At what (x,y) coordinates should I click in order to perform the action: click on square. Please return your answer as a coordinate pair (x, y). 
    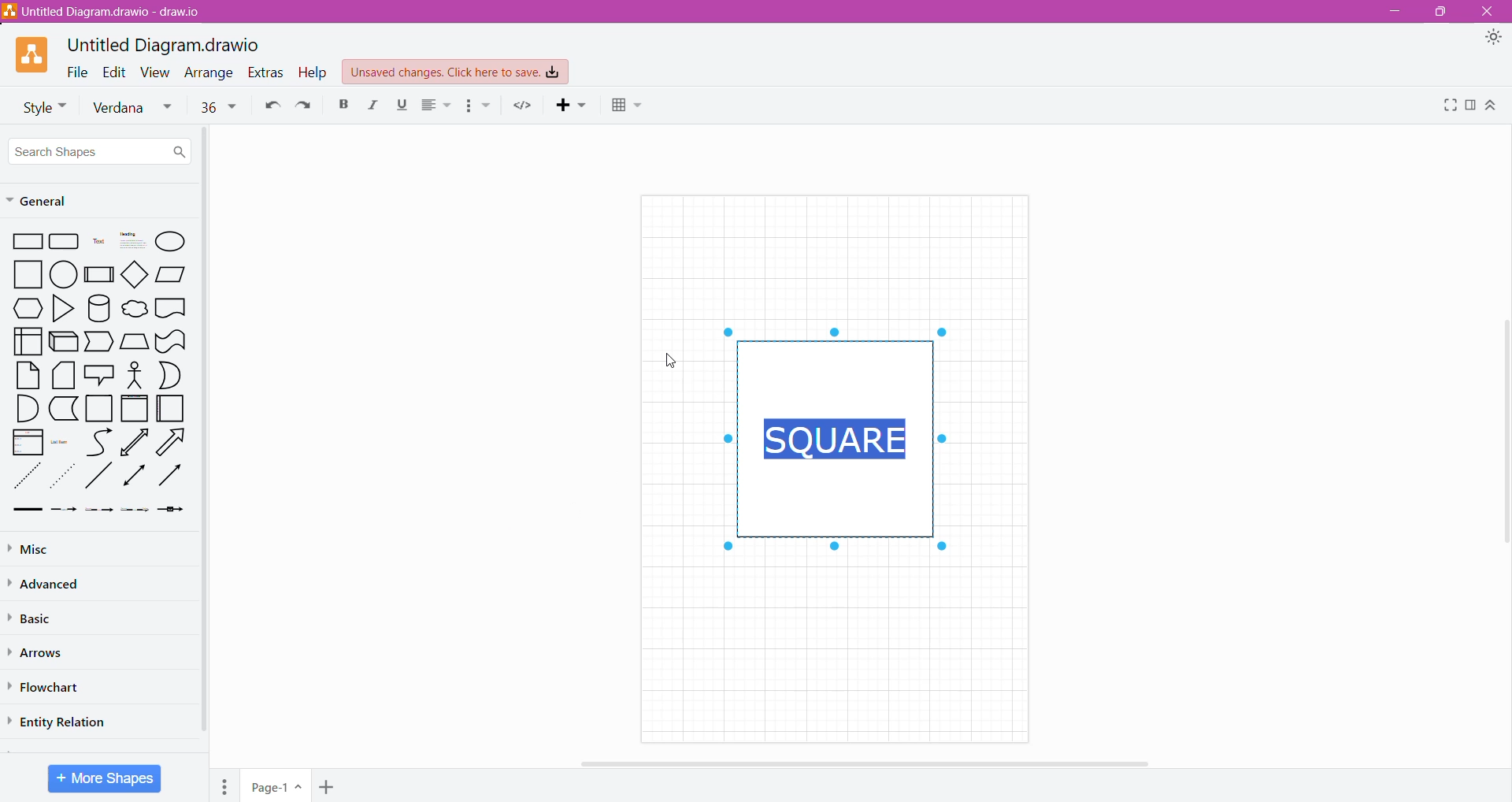
    Looking at the image, I should click on (25, 274).